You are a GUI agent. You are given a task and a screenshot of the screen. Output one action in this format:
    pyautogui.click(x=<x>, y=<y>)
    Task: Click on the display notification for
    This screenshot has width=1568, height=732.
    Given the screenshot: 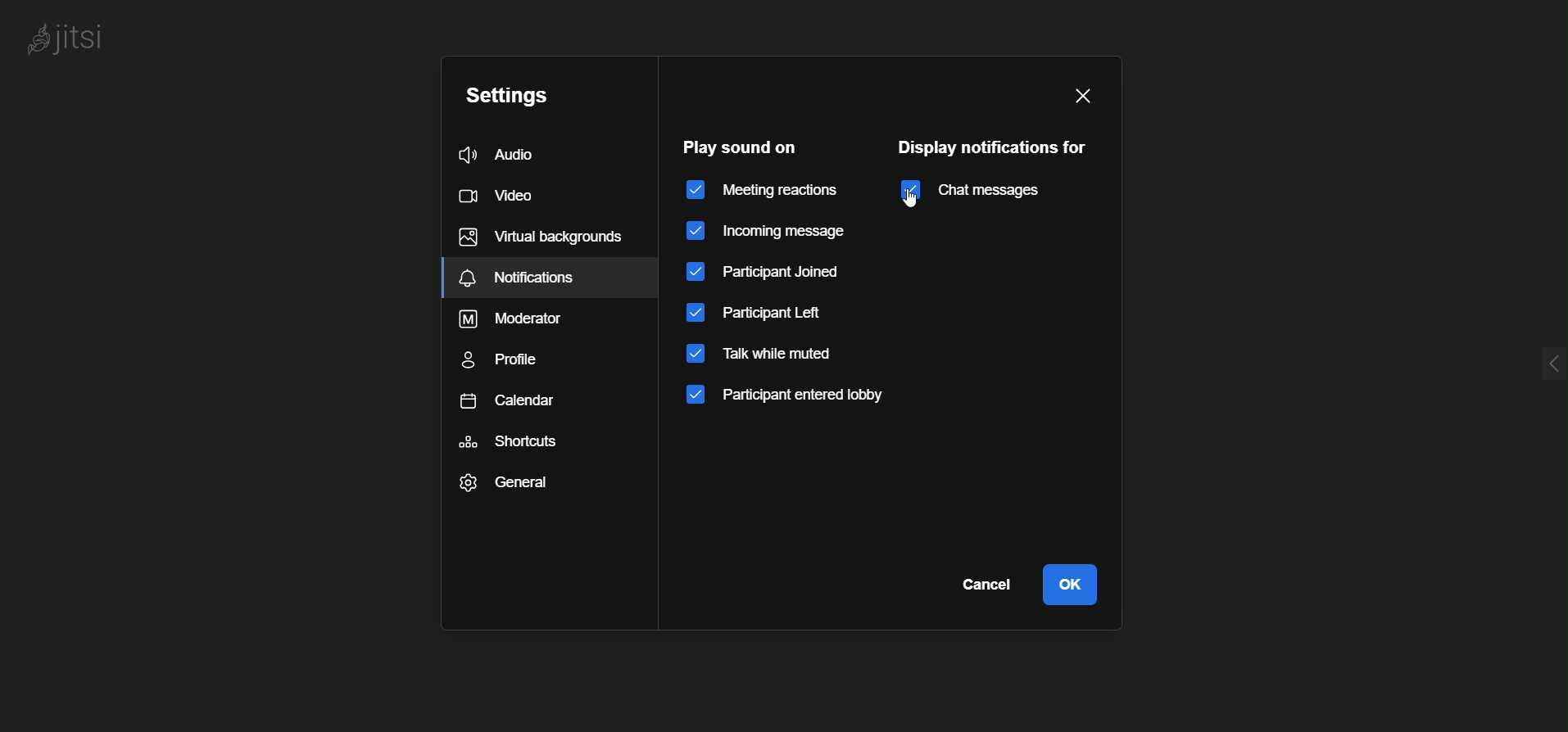 What is the action you would take?
    pyautogui.click(x=995, y=148)
    